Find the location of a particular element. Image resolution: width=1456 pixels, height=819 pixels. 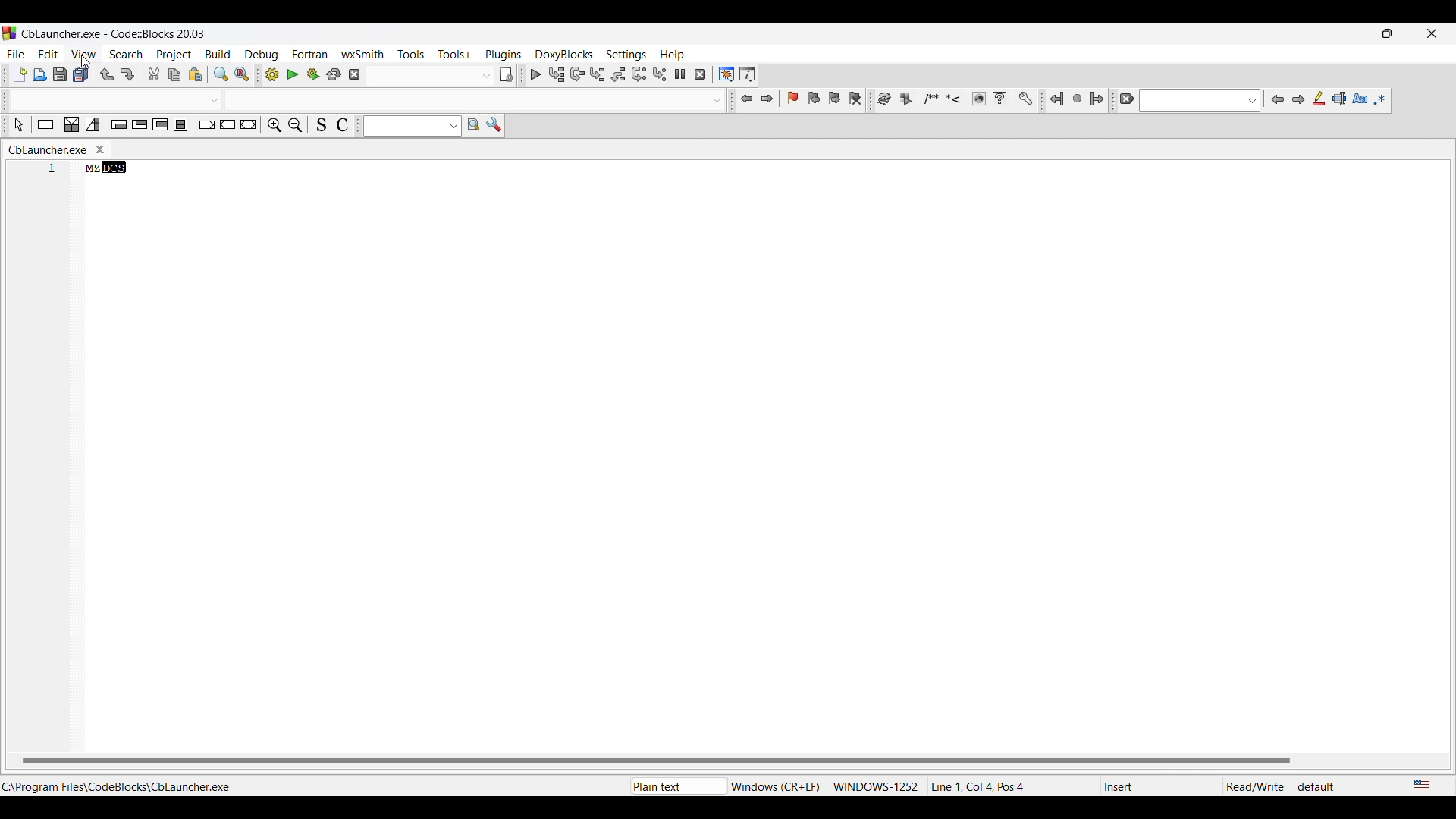

Software logo is located at coordinates (10, 33).